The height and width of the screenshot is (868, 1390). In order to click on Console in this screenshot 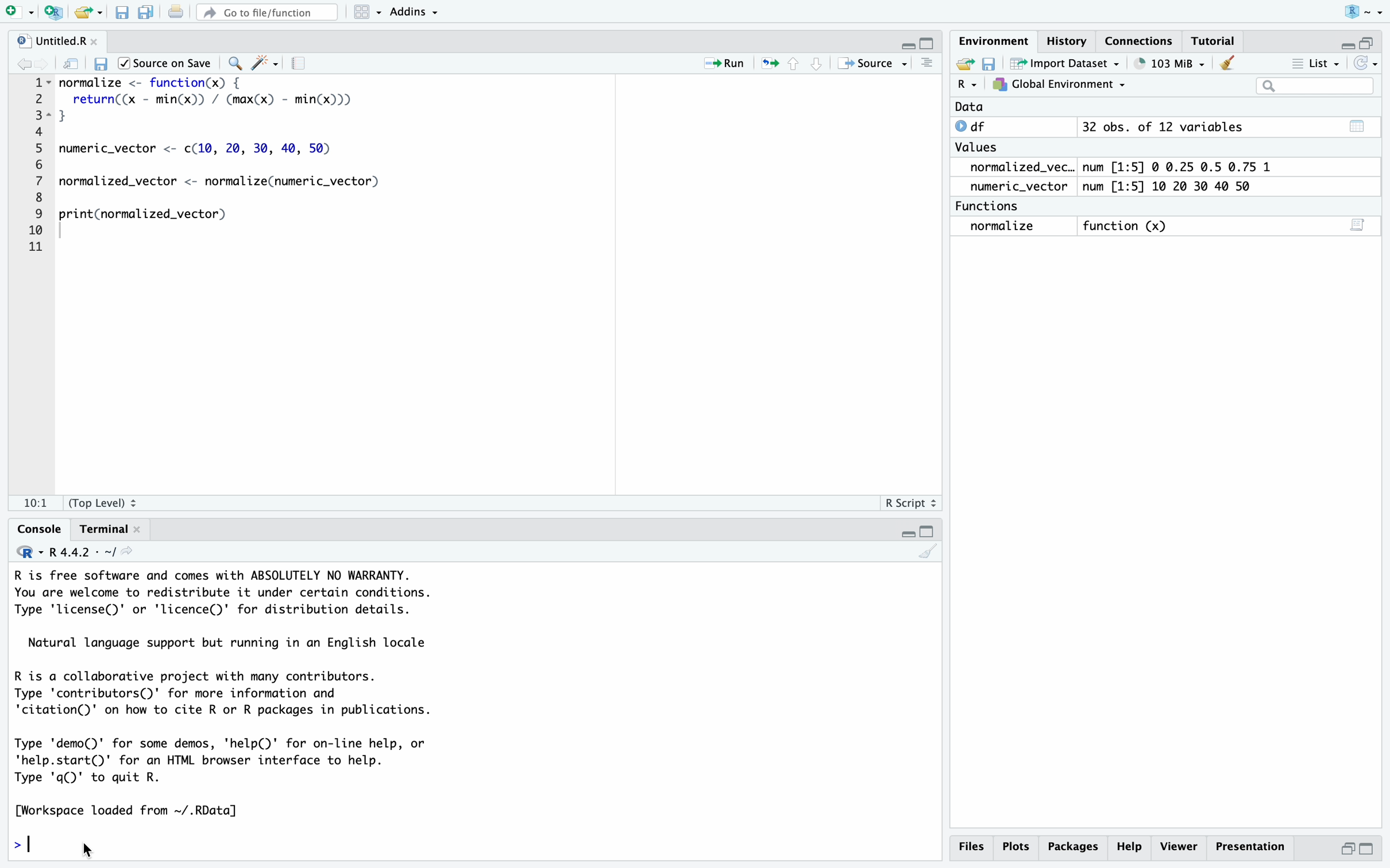, I will do `click(37, 530)`.